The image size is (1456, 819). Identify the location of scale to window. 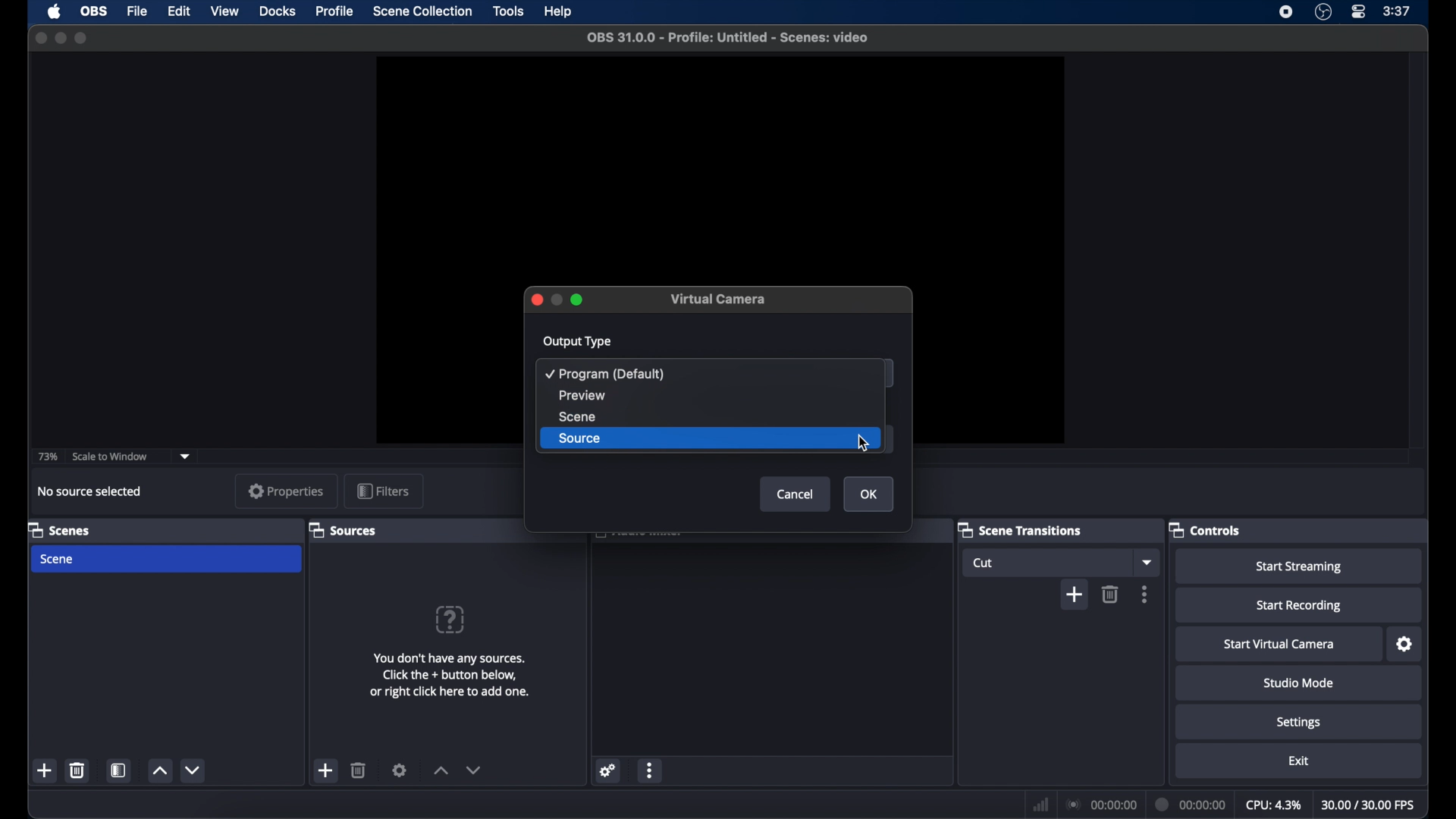
(111, 457).